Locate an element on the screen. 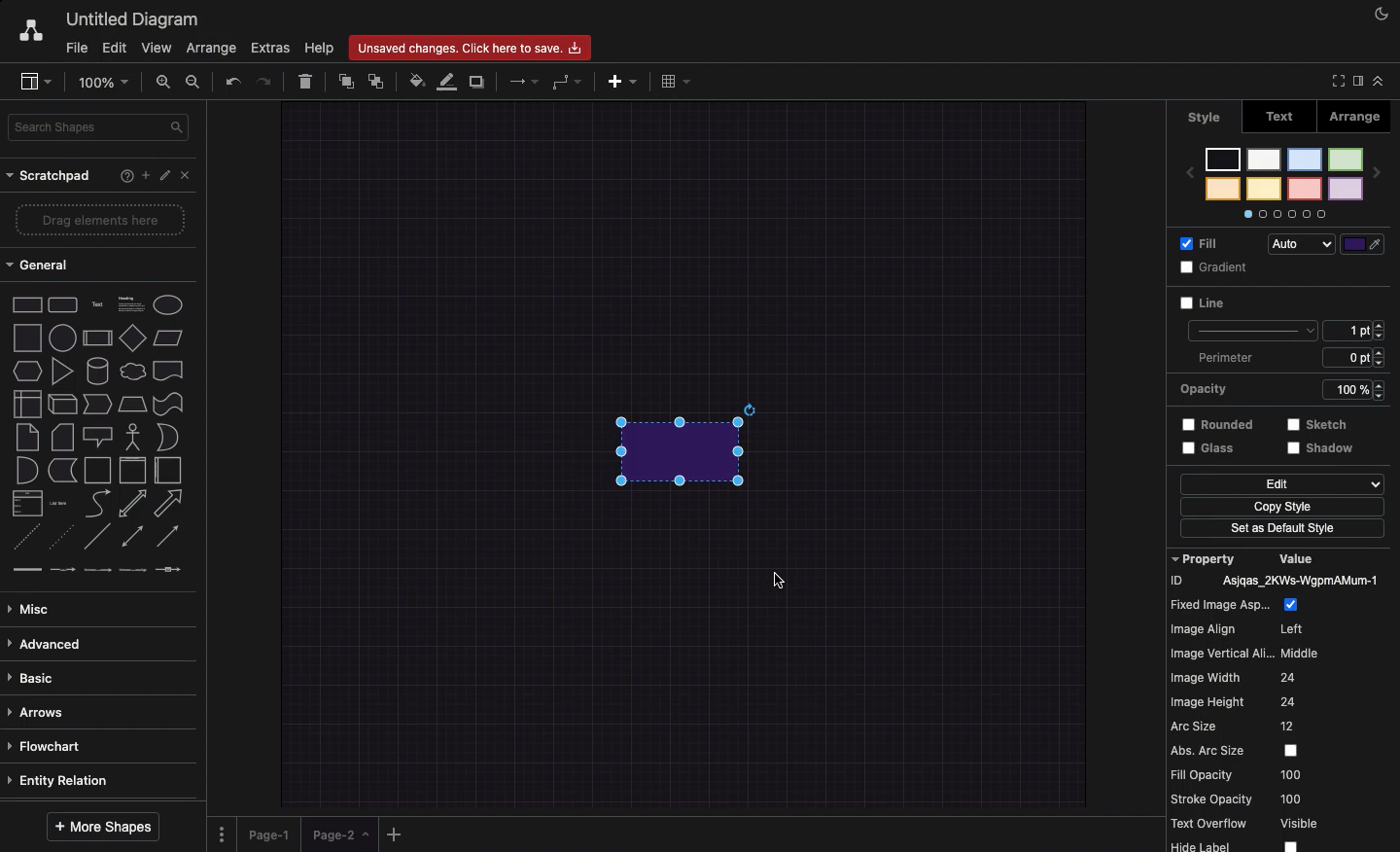 The height and width of the screenshot is (852, 1400). Add is located at coordinates (395, 834).